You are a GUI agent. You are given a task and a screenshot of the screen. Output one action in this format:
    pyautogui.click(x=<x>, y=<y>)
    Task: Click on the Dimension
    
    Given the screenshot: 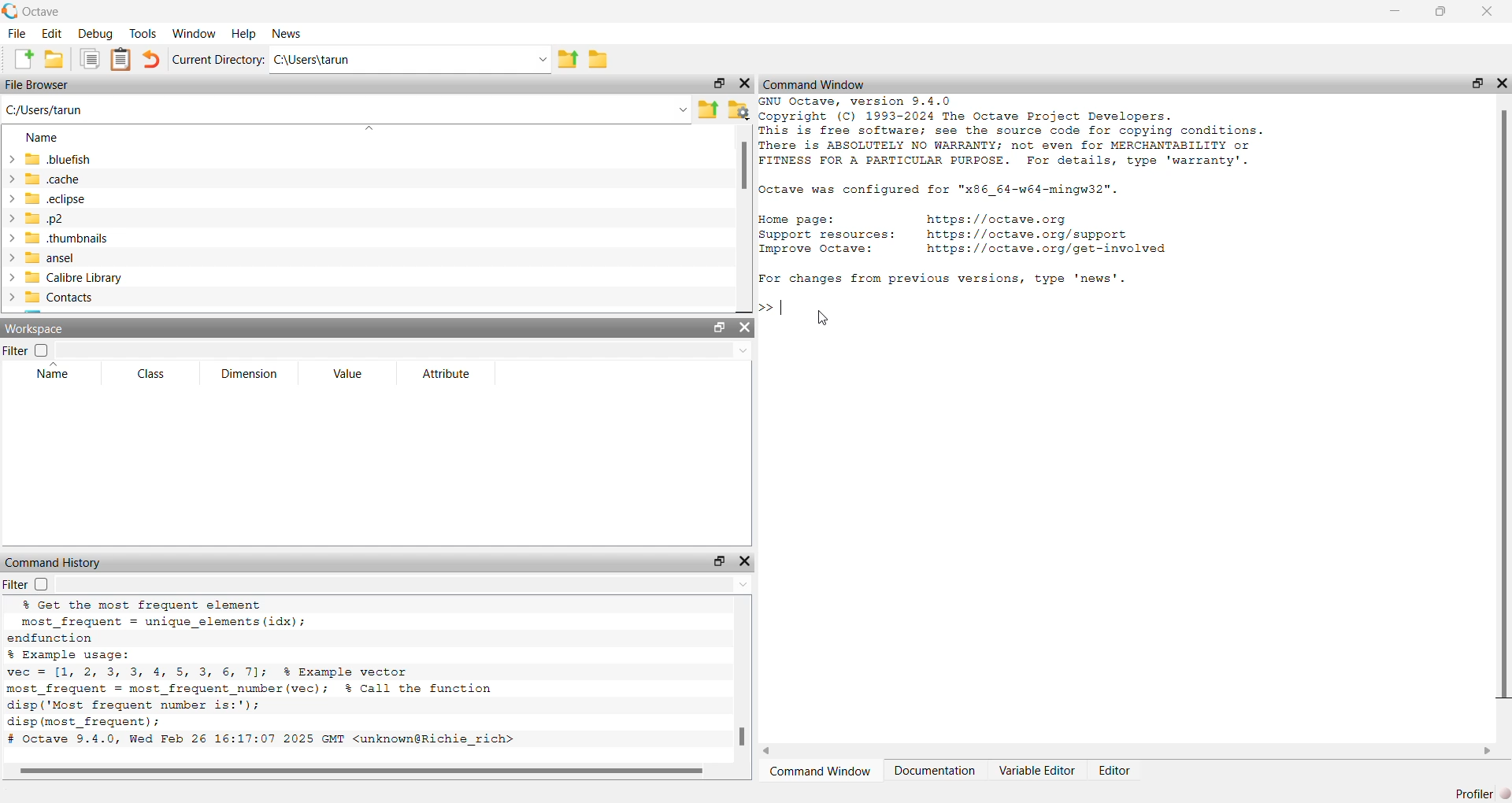 What is the action you would take?
    pyautogui.click(x=250, y=373)
    